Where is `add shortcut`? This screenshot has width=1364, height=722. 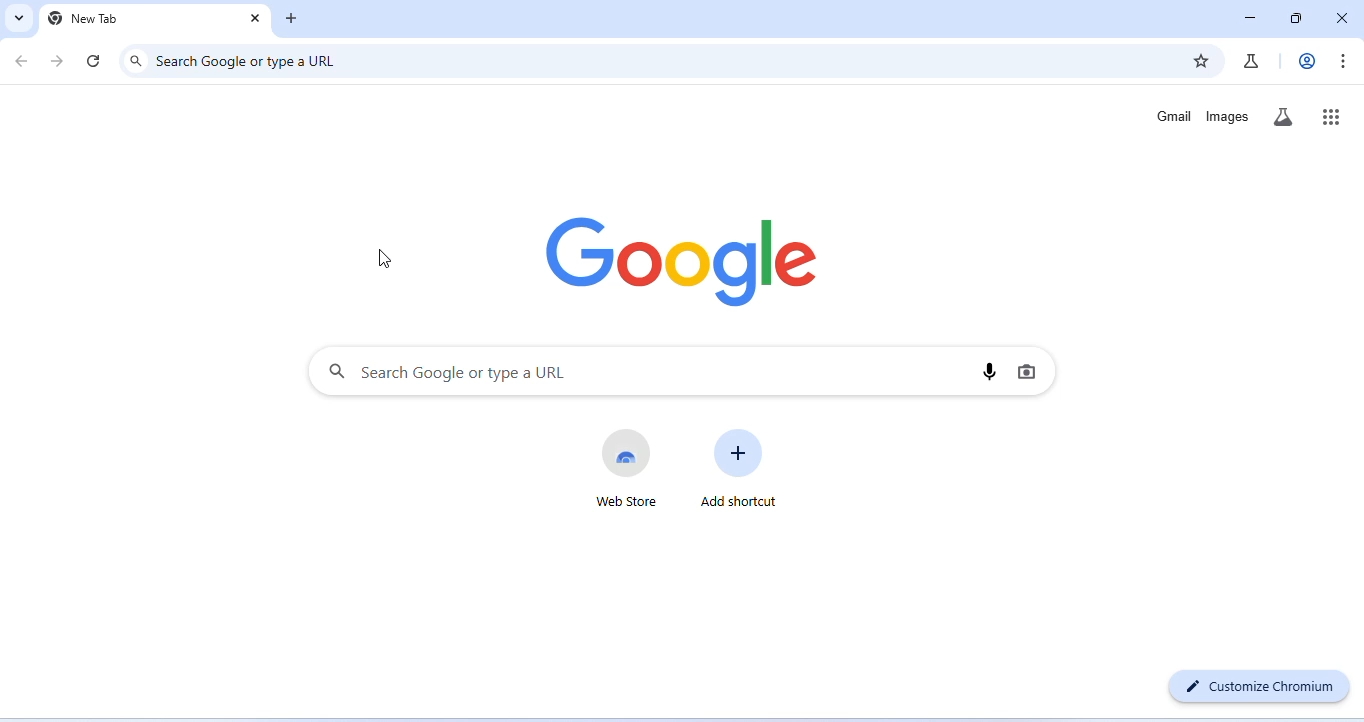 add shortcut is located at coordinates (739, 470).